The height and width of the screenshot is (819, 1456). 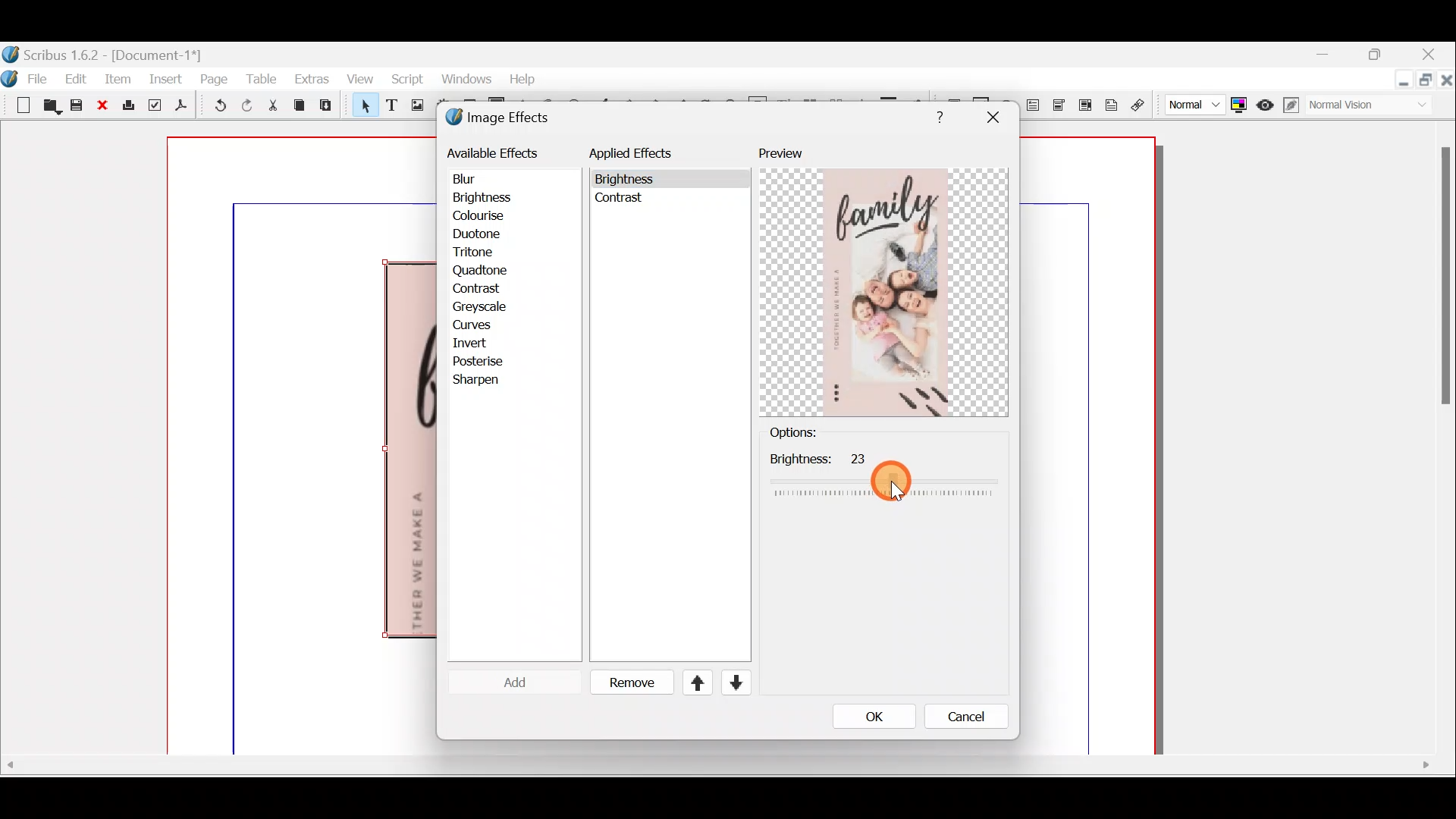 I want to click on Options, so click(x=818, y=433).